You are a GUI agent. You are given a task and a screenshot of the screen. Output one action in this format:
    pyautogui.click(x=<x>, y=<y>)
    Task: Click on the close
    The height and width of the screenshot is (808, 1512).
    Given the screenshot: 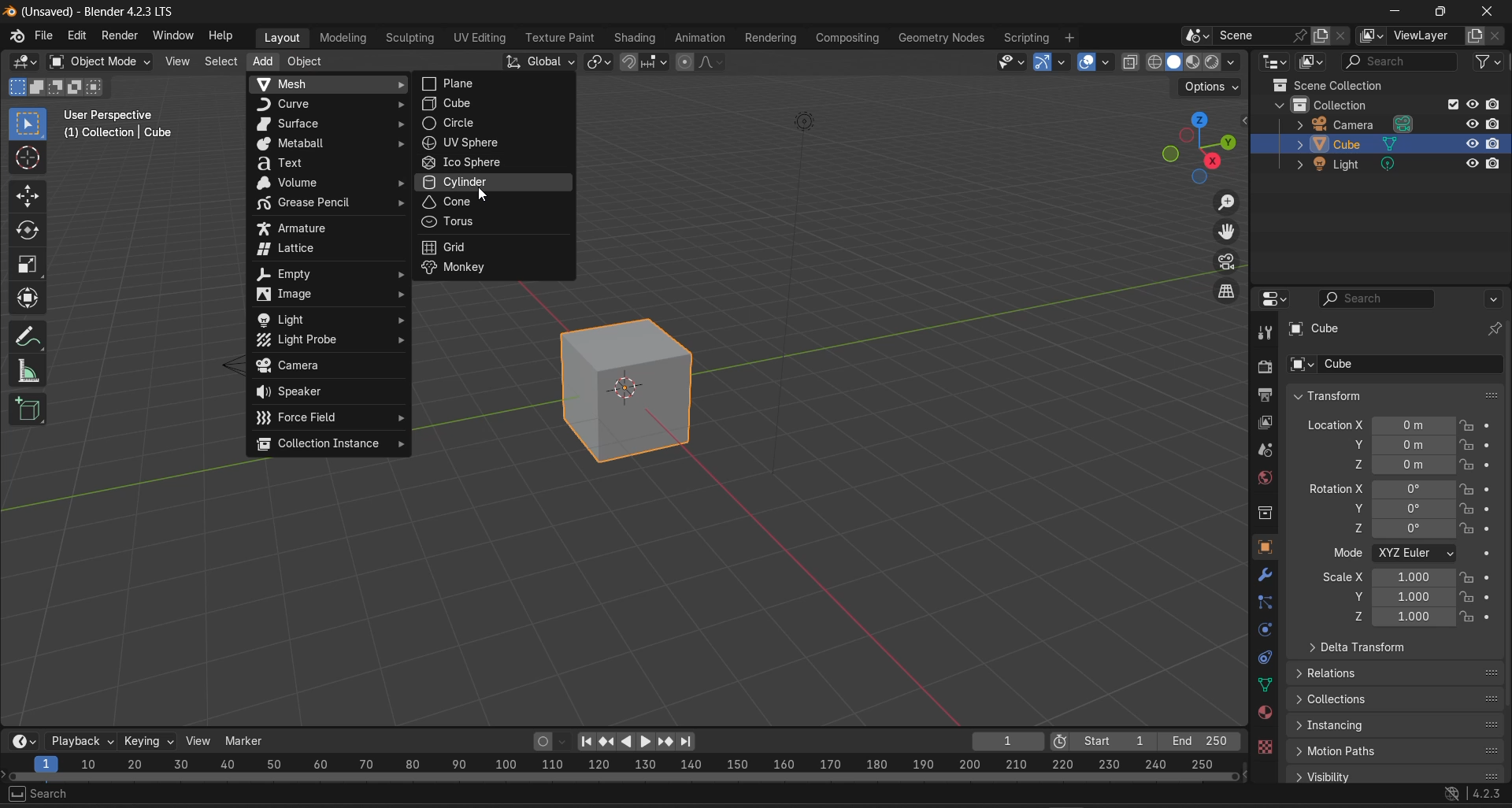 What is the action you would take?
    pyautogui.click(x=1490, y=12)
    